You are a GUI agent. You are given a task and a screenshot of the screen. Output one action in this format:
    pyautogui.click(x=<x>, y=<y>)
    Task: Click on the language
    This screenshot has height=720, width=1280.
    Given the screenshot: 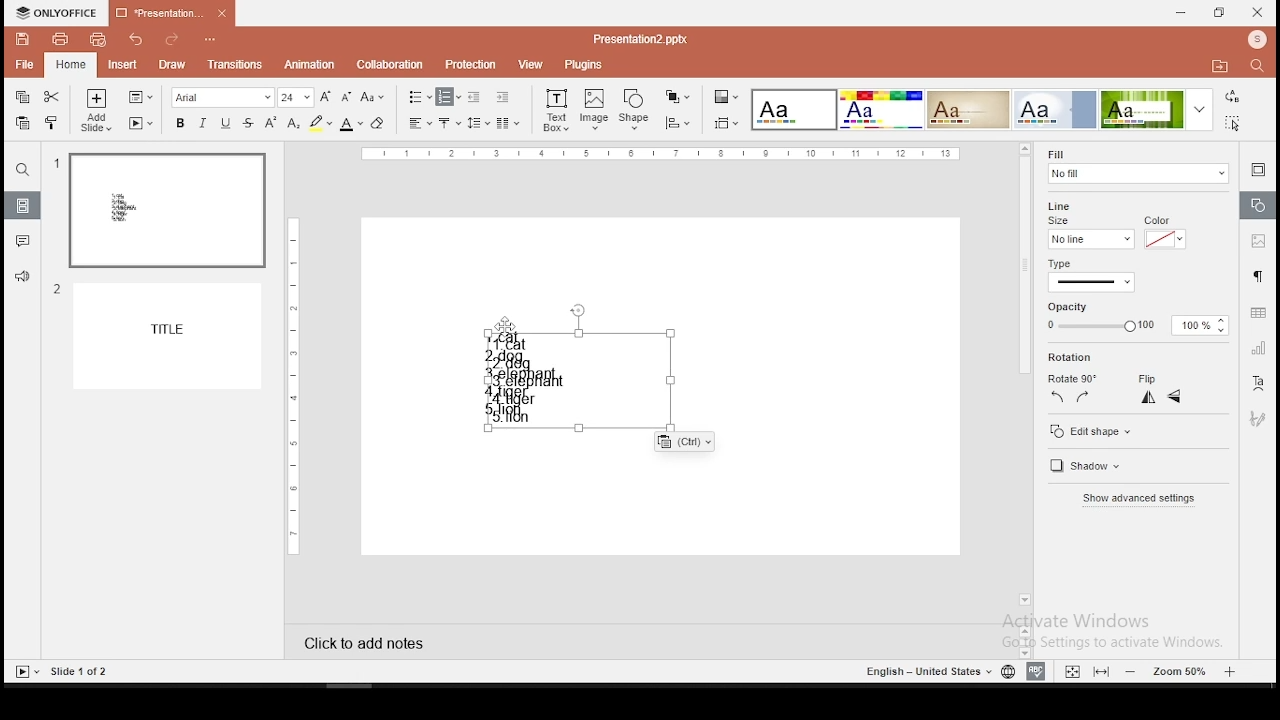 What is the action you would take?
    pyautogui.click(x=1006, y=670)
    